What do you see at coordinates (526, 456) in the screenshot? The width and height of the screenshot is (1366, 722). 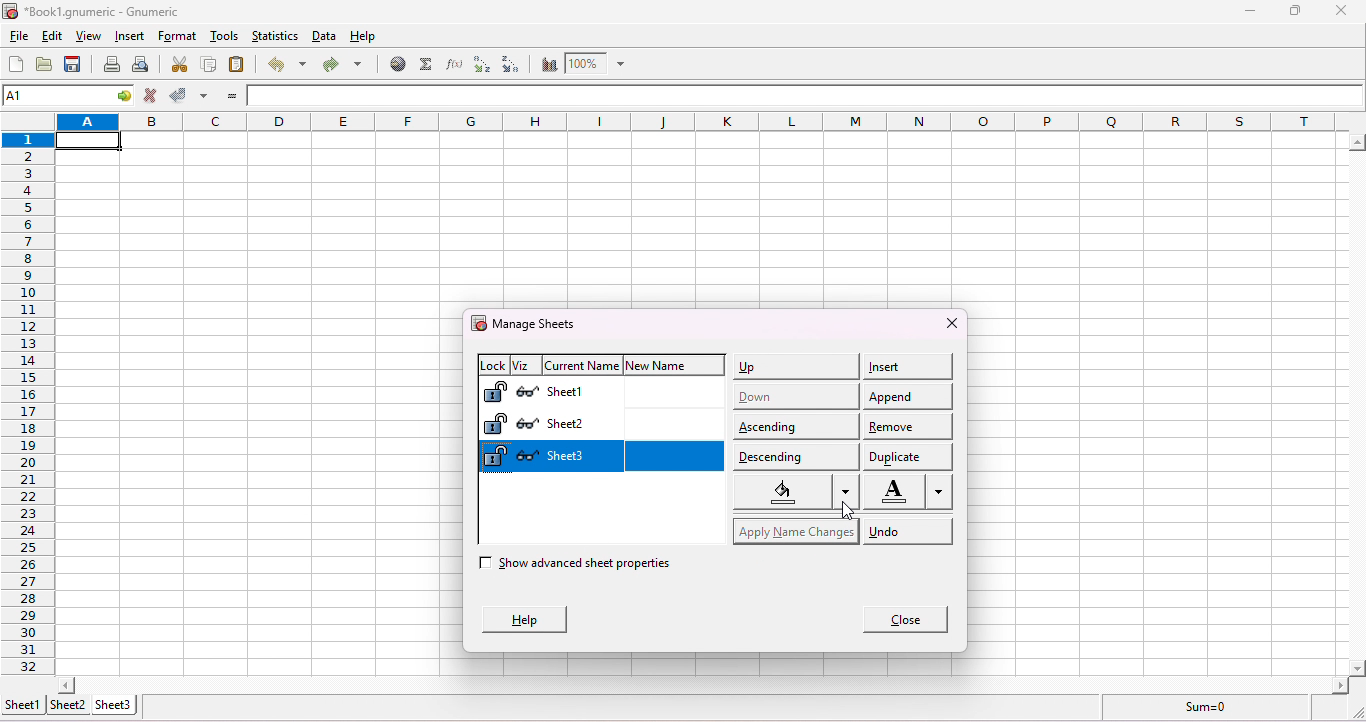 I see `Hide sheet 3` at bounding box center [526, 456].